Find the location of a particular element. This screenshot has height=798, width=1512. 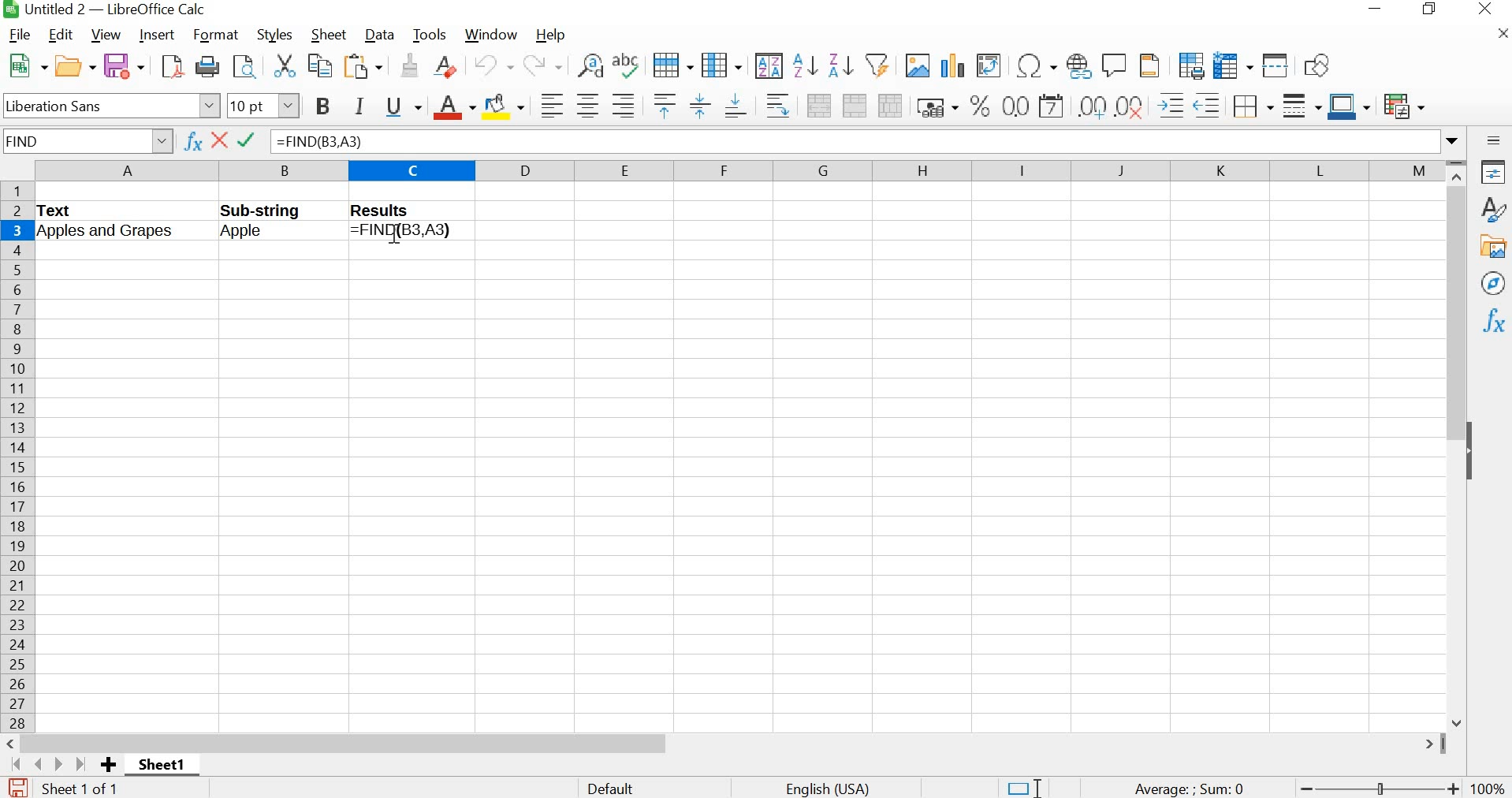

font color is located at coordinates (452, 107).